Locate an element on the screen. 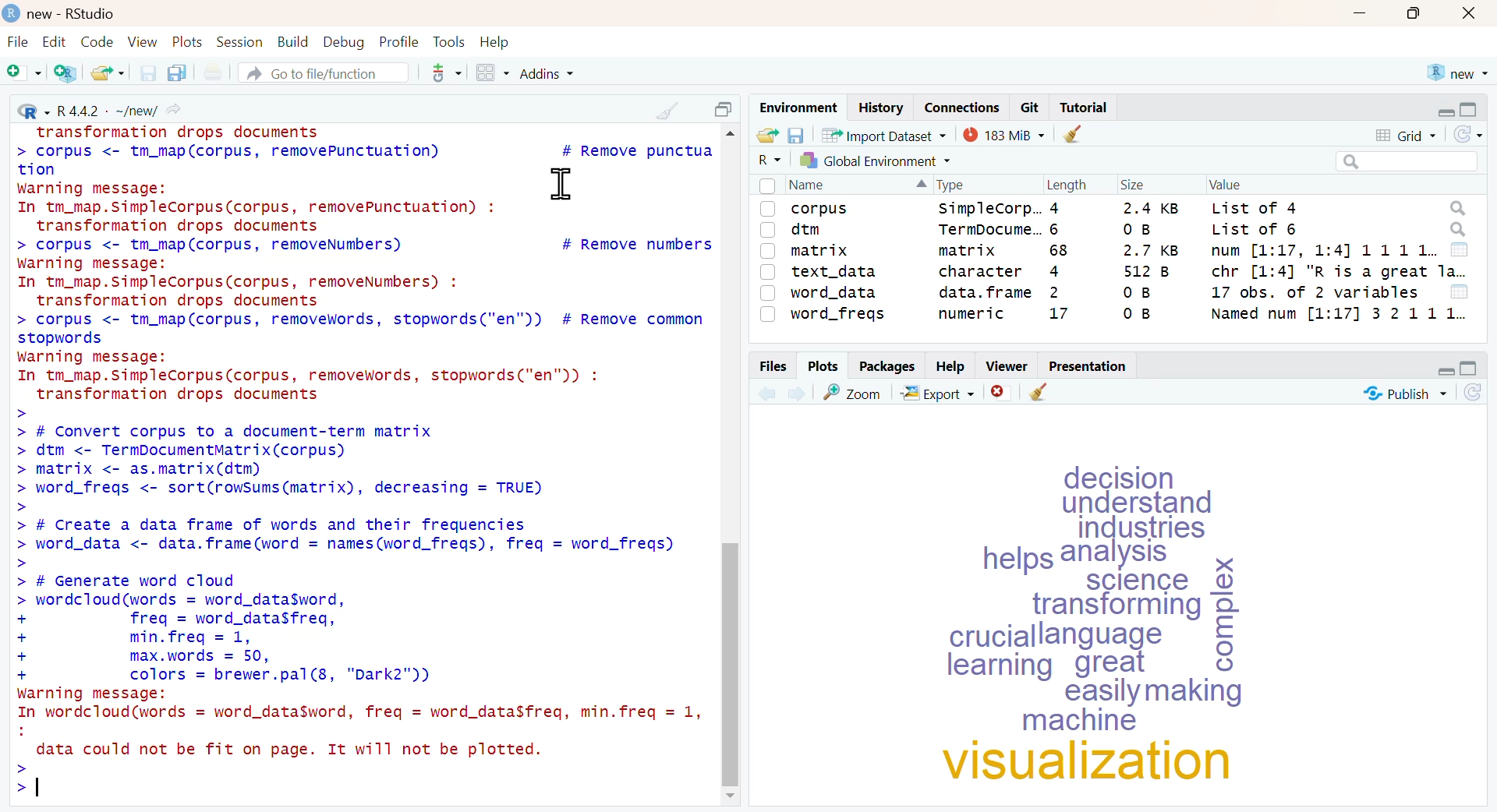 This screenshot has width=1497, height=812. Viewer is located at coordinates (1008, 366).